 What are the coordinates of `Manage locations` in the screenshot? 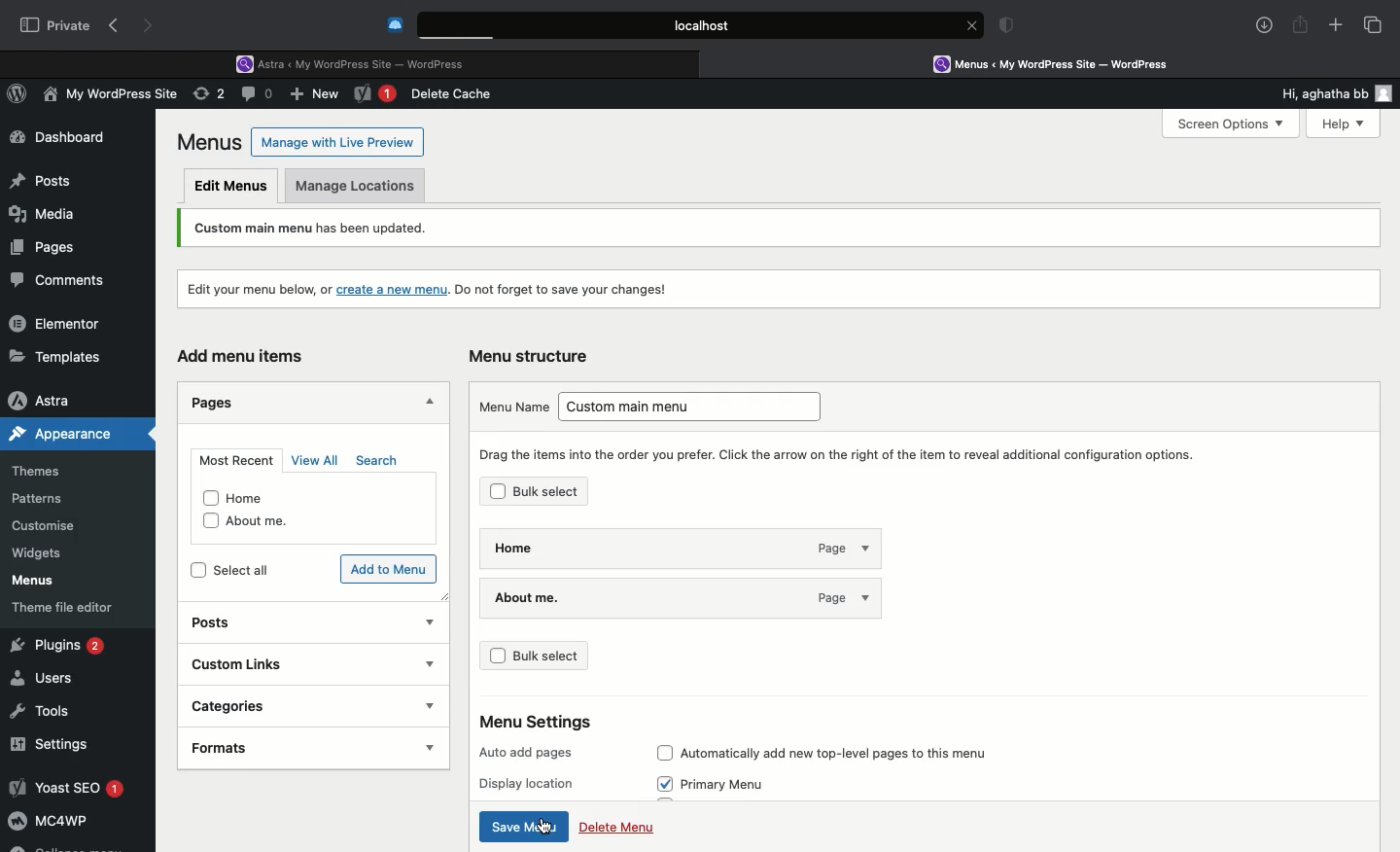 It's located at (360, 188).